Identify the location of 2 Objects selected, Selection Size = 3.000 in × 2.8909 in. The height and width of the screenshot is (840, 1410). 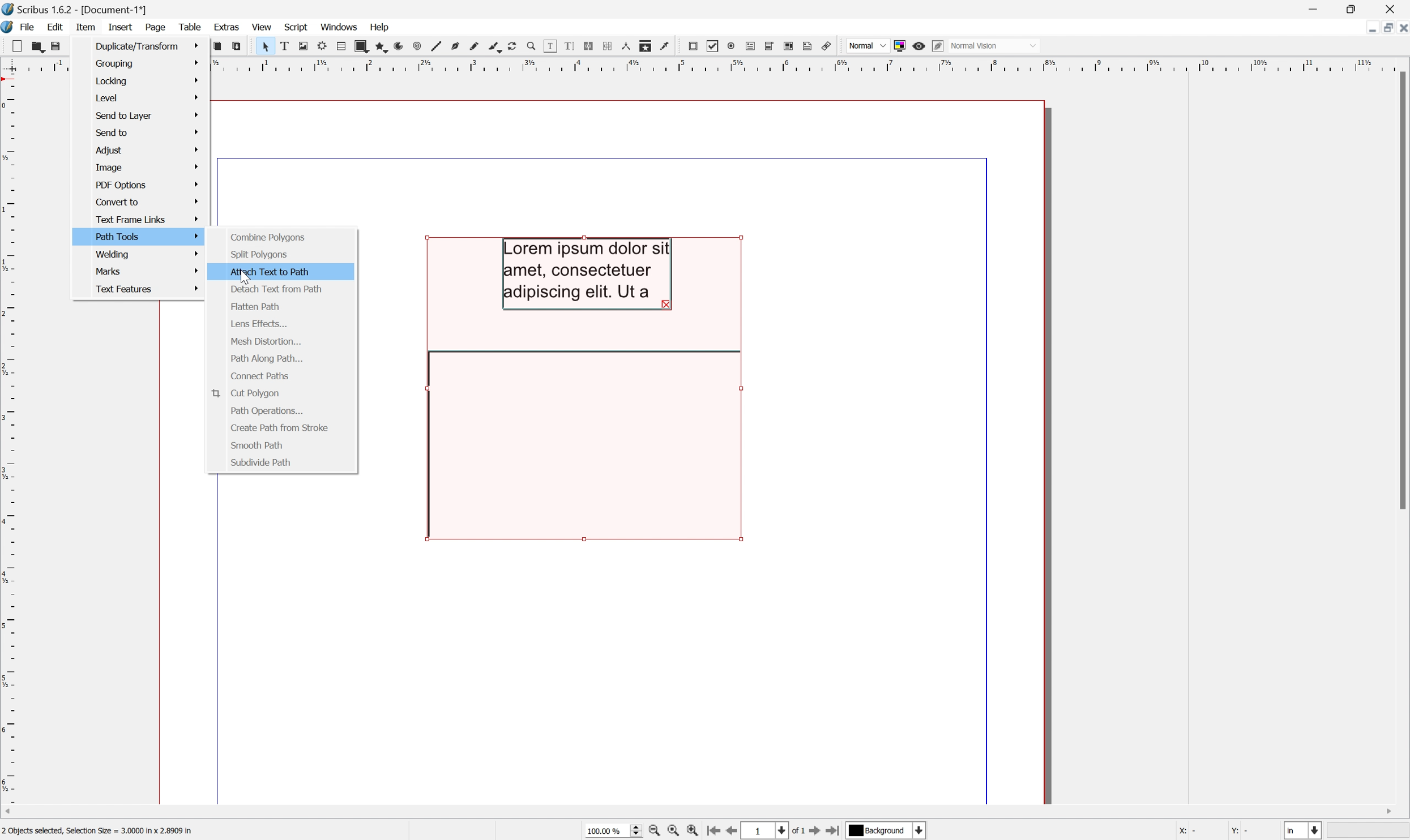
(99, 832).